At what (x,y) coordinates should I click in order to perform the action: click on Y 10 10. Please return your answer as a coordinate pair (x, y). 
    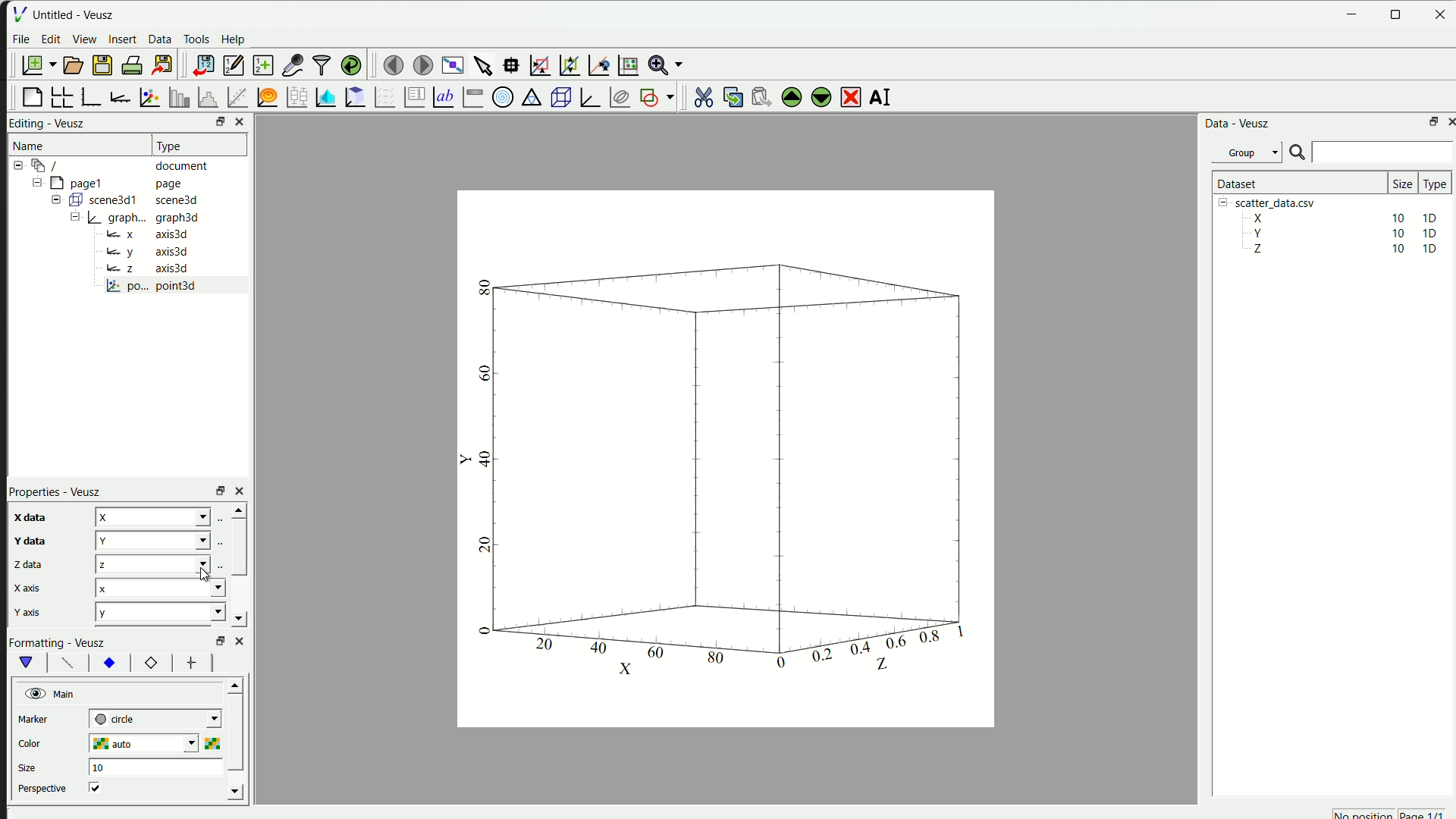
    Looking at the image, I should click on (1339, 234).